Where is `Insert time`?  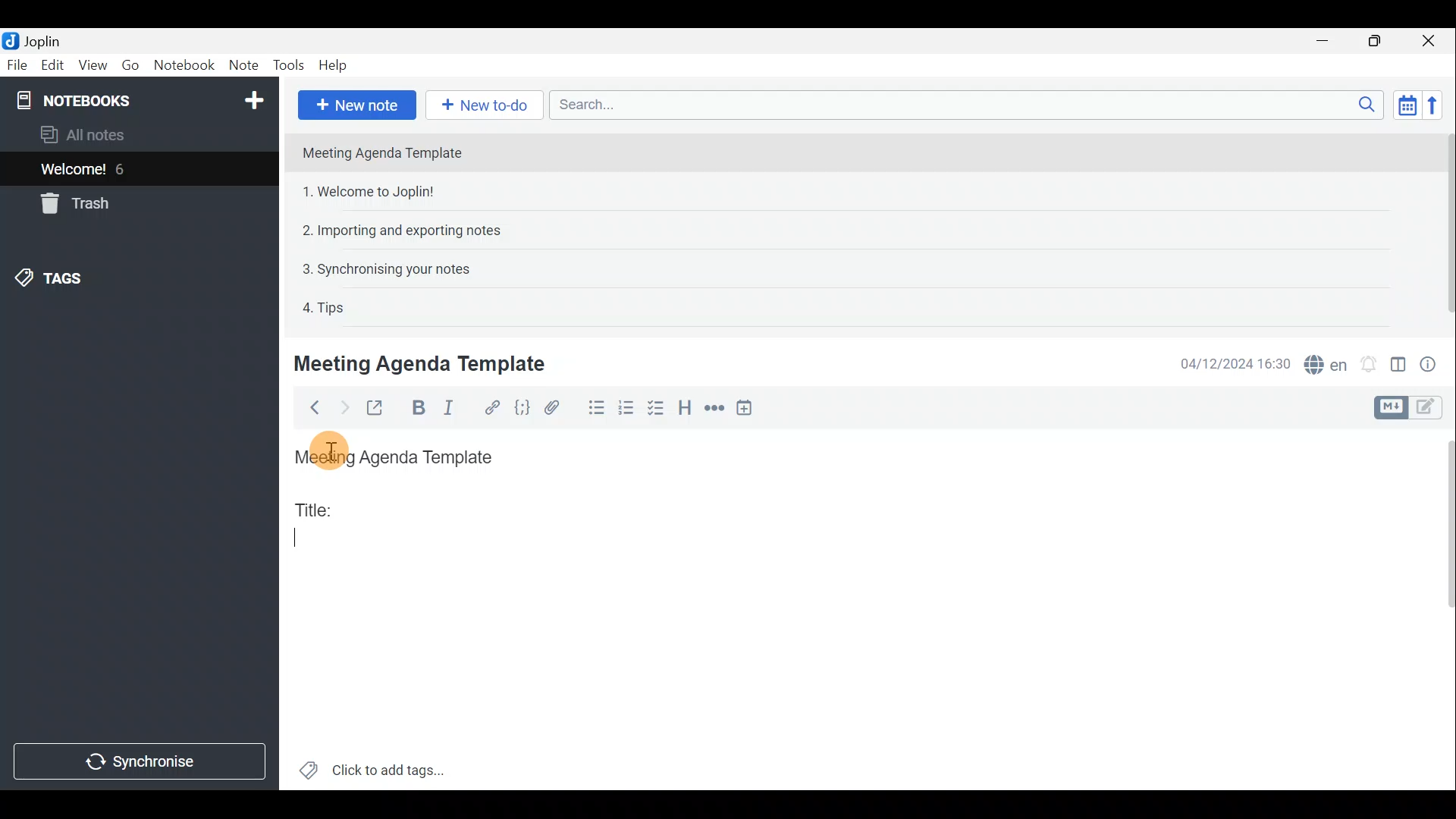 Insert time is located at coordinates (748, 410).